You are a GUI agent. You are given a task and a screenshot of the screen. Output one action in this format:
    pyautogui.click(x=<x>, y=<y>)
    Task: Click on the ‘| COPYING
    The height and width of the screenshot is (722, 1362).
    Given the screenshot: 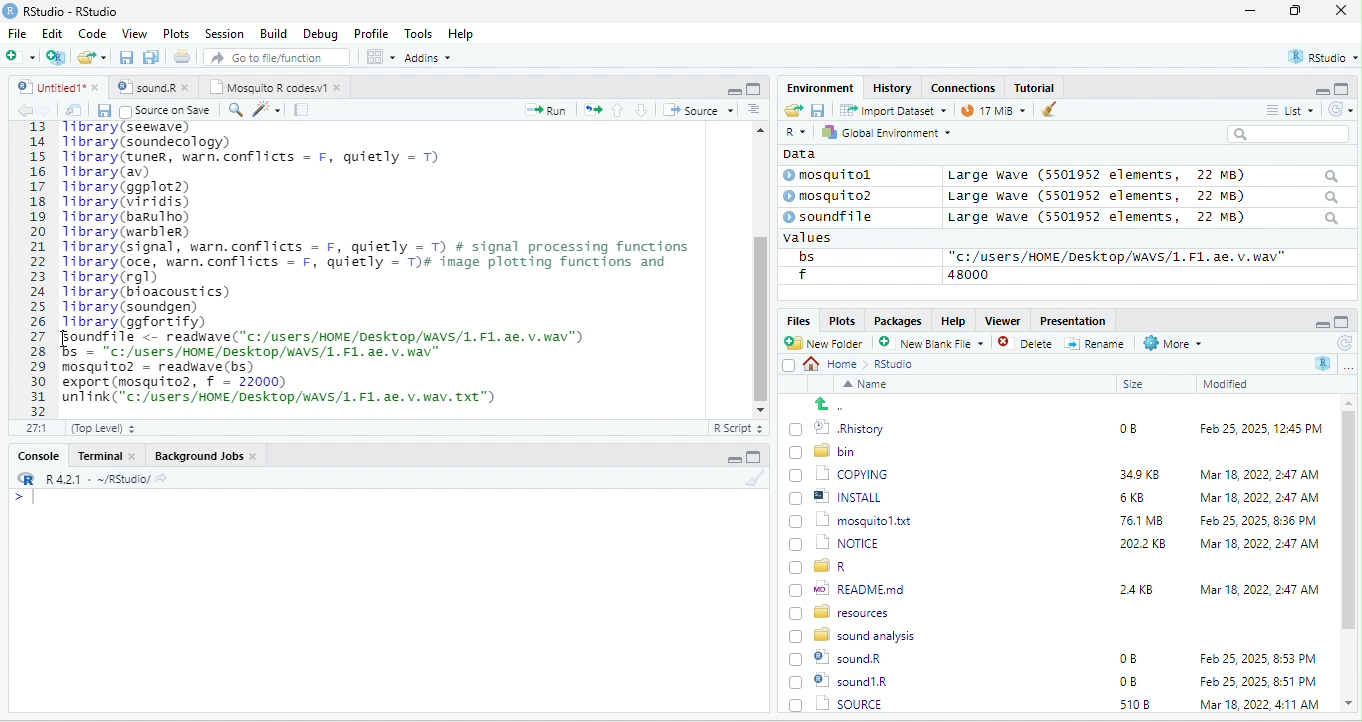 What is the action you would take?
    pyautogui.click(x=839, y=473)
    